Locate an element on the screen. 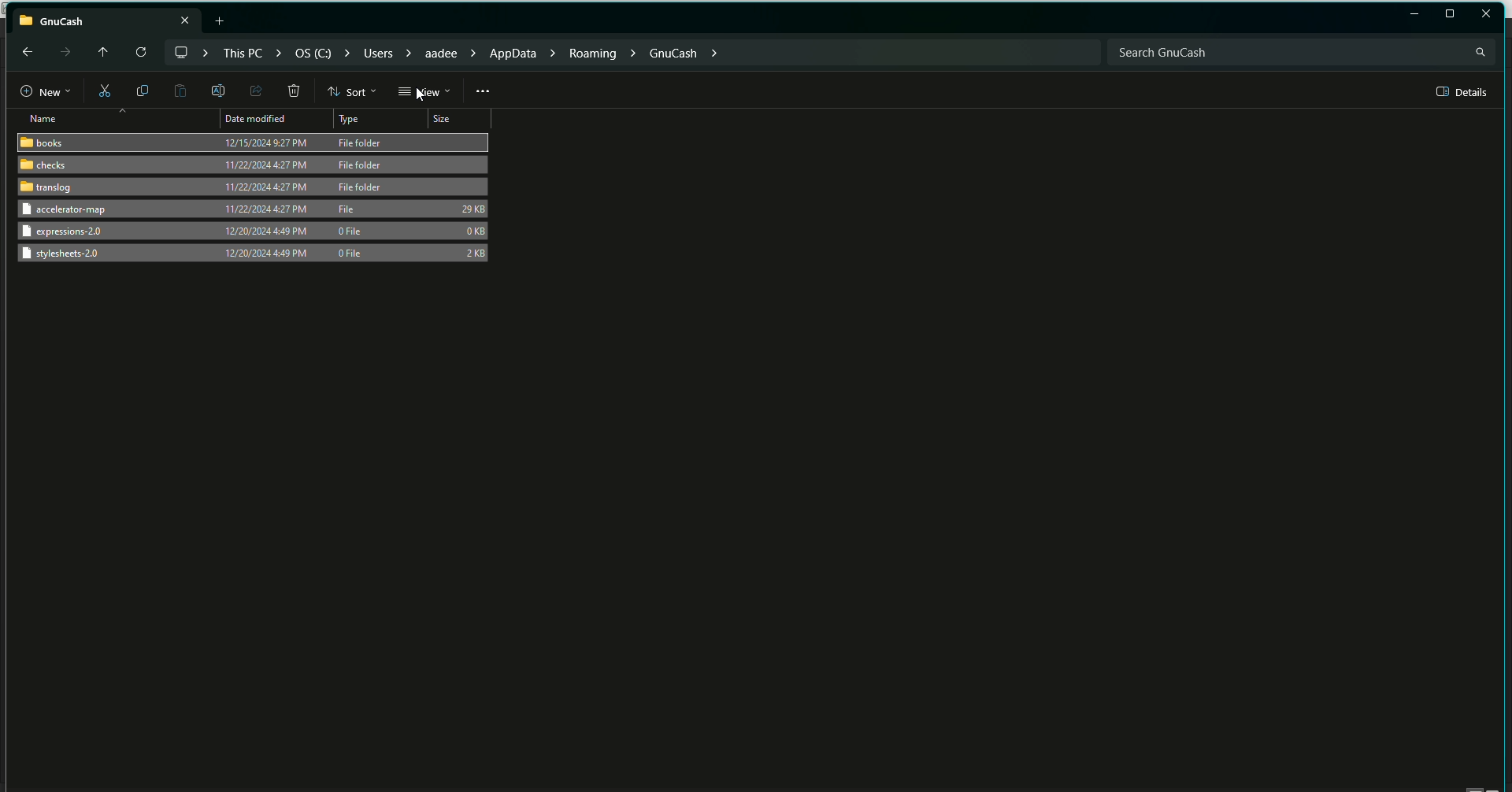 The height and width of the screenshot is (792, 1512). File is located at coordinates (350, 208).